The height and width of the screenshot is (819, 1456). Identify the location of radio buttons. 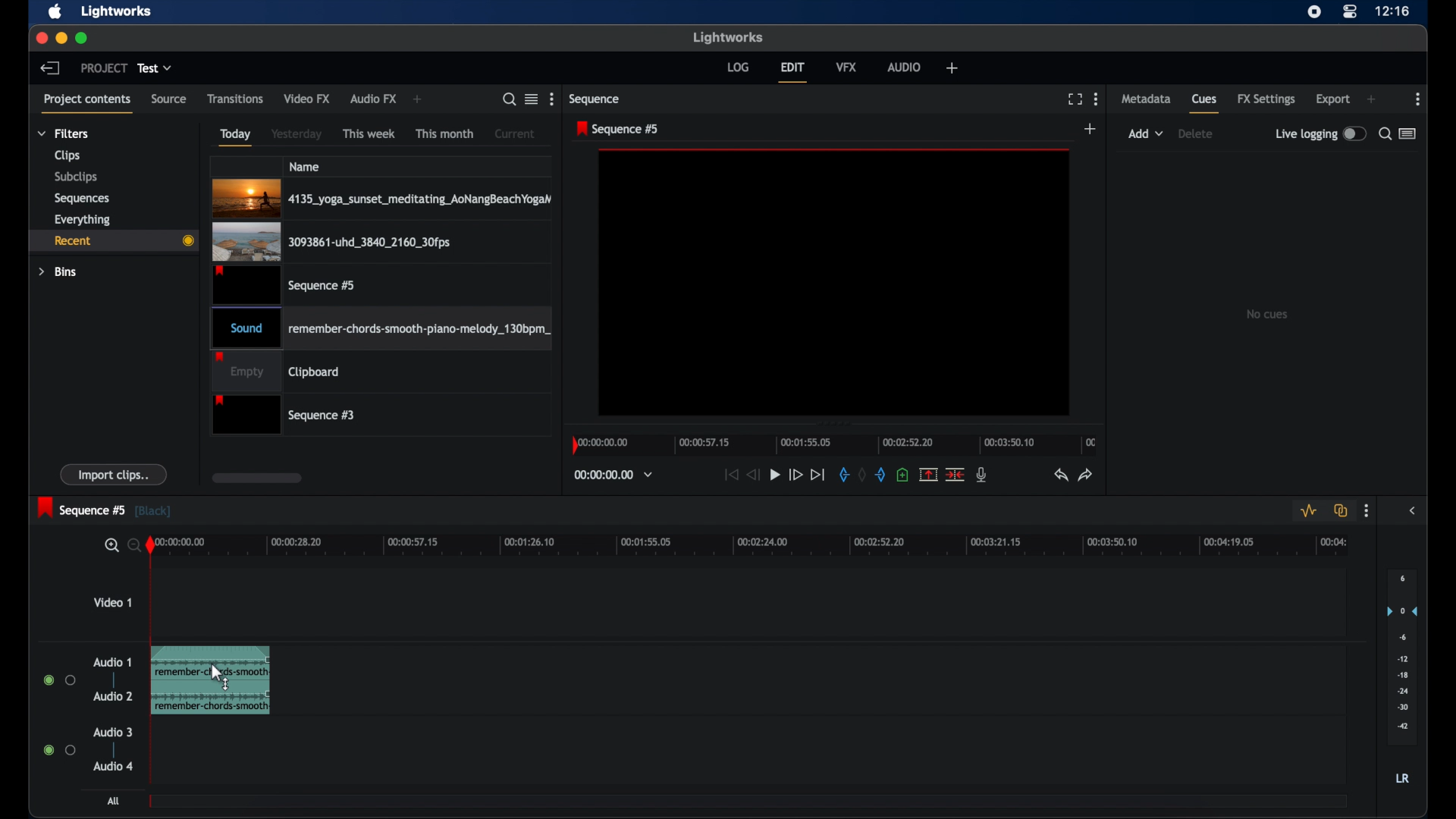
(60, 680).